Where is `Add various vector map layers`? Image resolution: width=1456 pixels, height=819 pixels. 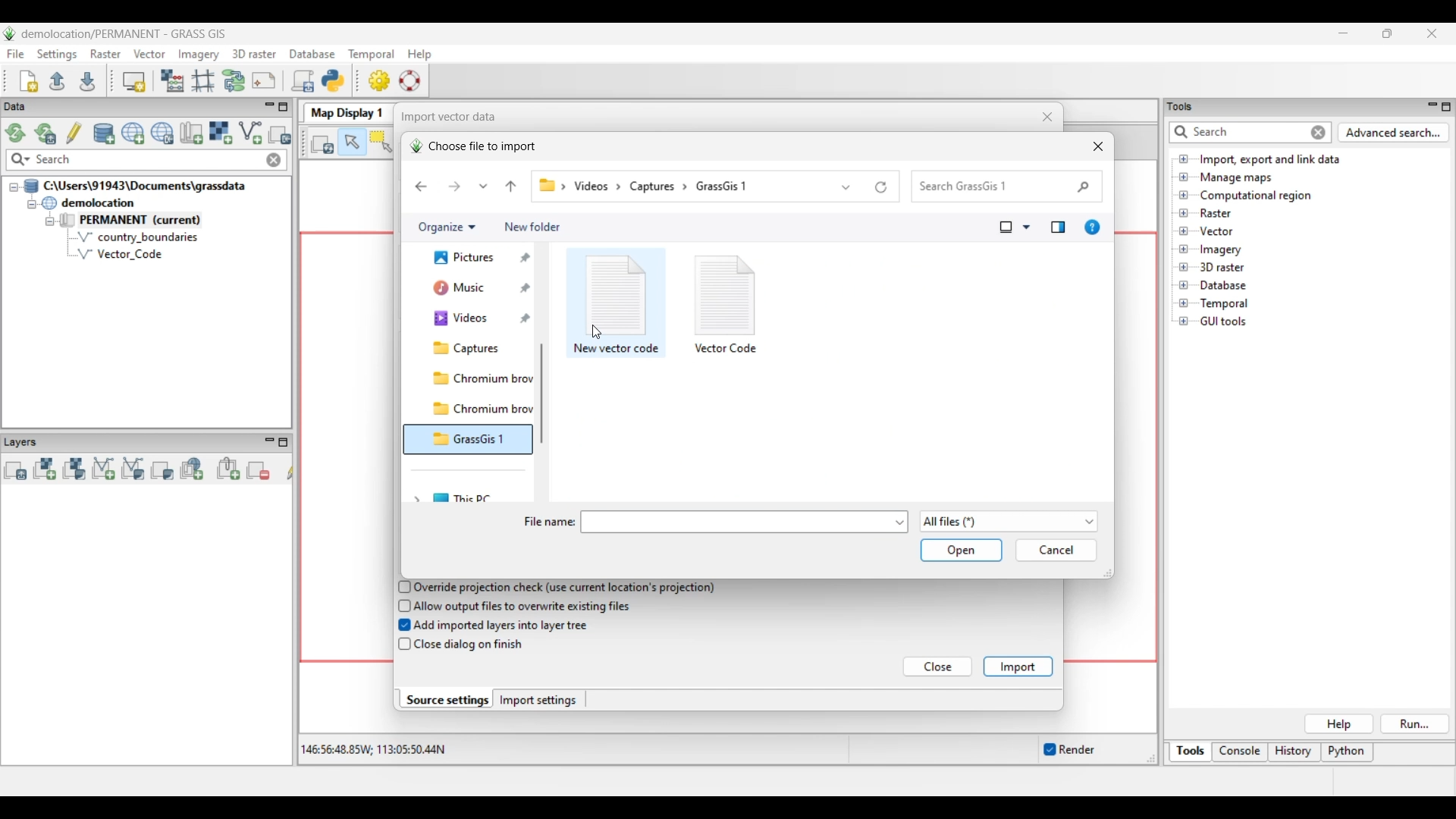 Add various vector map layers is located at coordinates (133, 469).